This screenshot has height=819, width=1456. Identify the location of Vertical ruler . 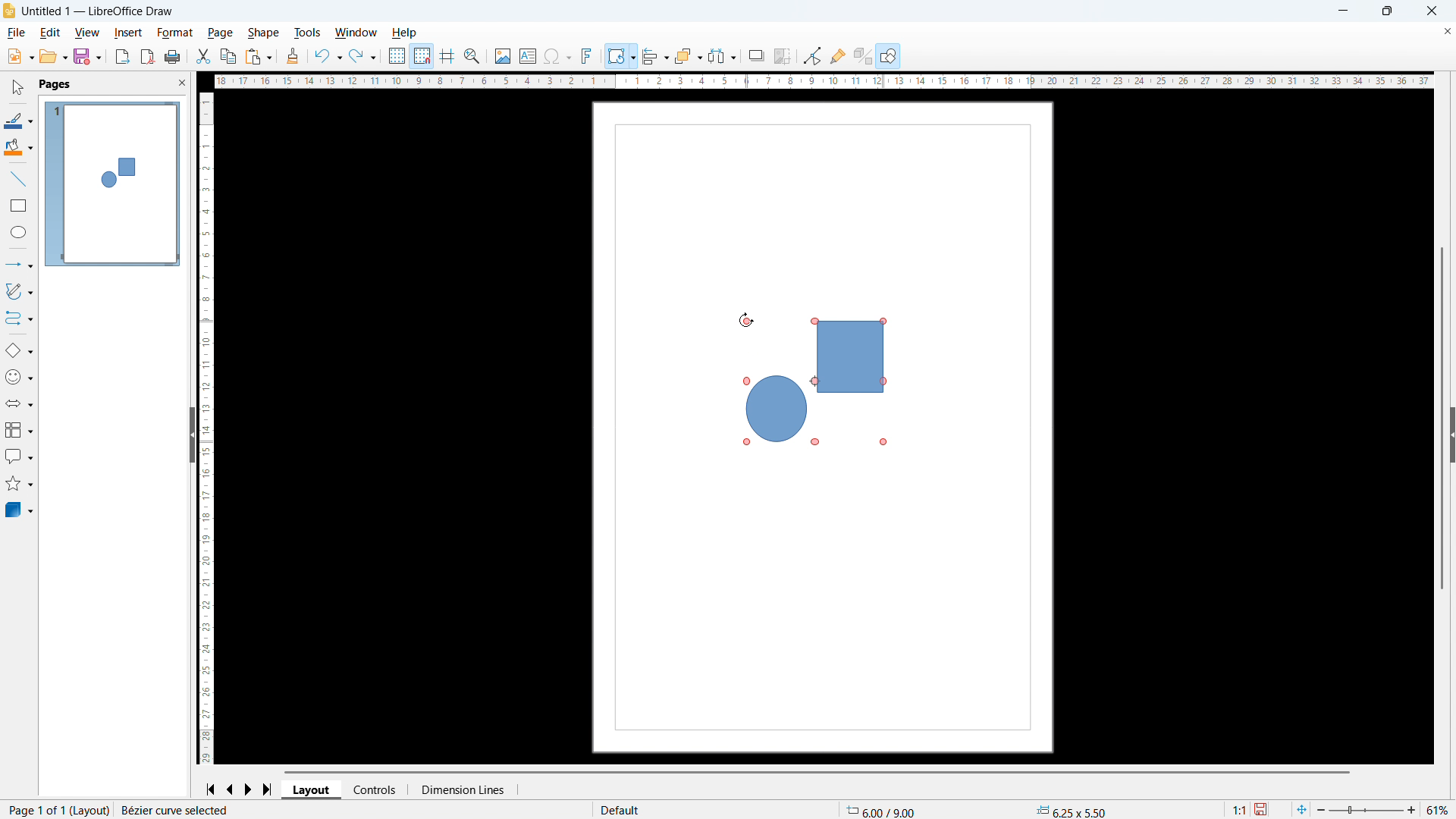
(205, 429).